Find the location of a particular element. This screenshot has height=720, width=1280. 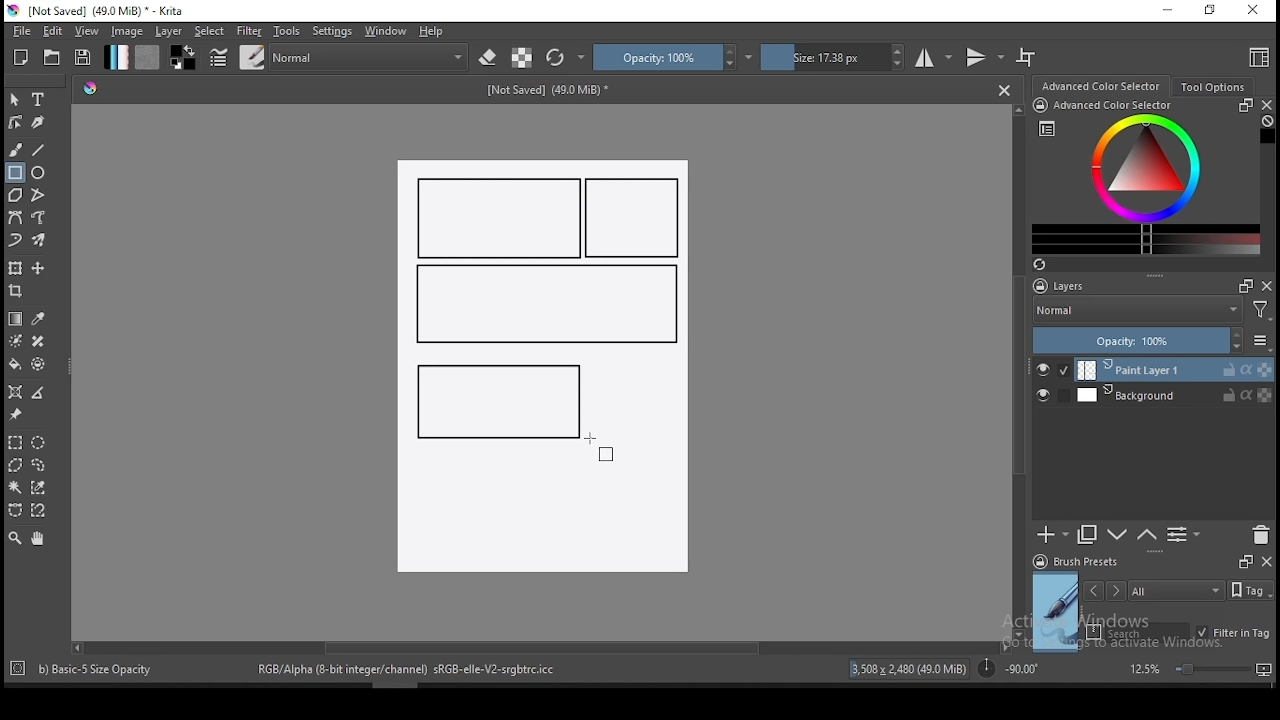

brush settings is located at coordinates (217, 57).